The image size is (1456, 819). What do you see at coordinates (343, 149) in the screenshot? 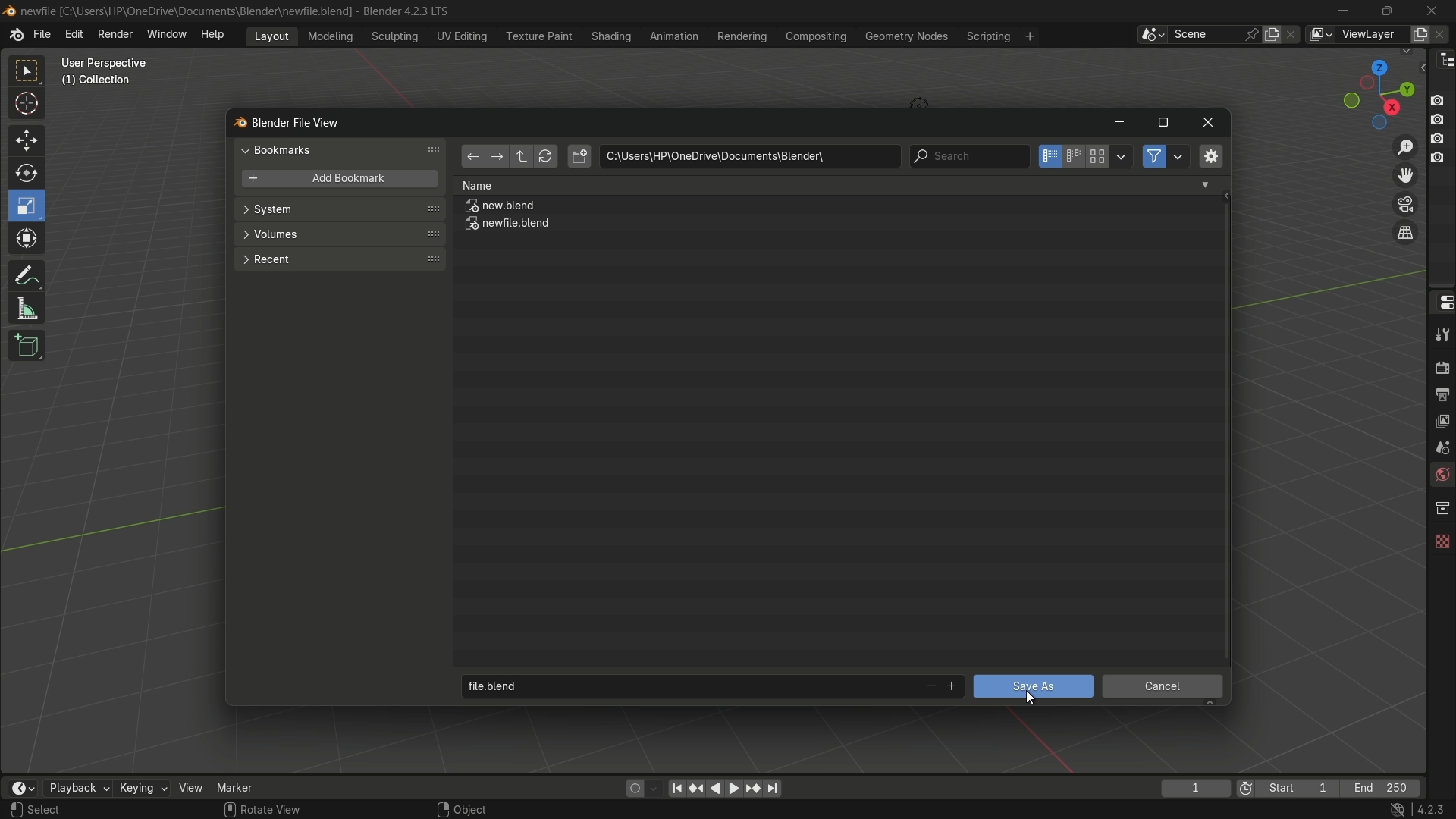
I see `bookmarks` at bounding box center [343, 149].